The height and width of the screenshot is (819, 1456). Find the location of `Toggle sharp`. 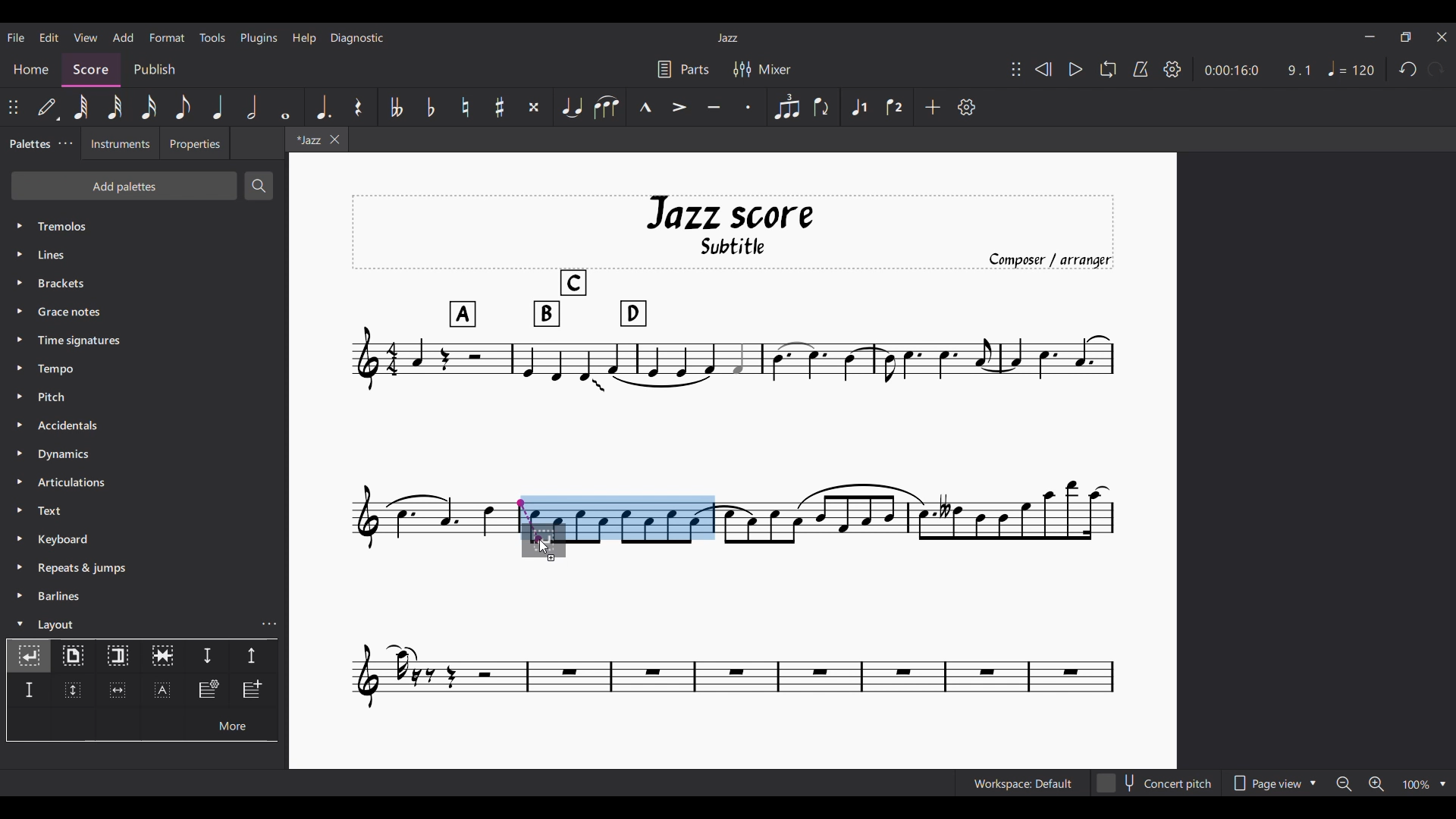

Toggle sharp is located at coordinates (500, 107).